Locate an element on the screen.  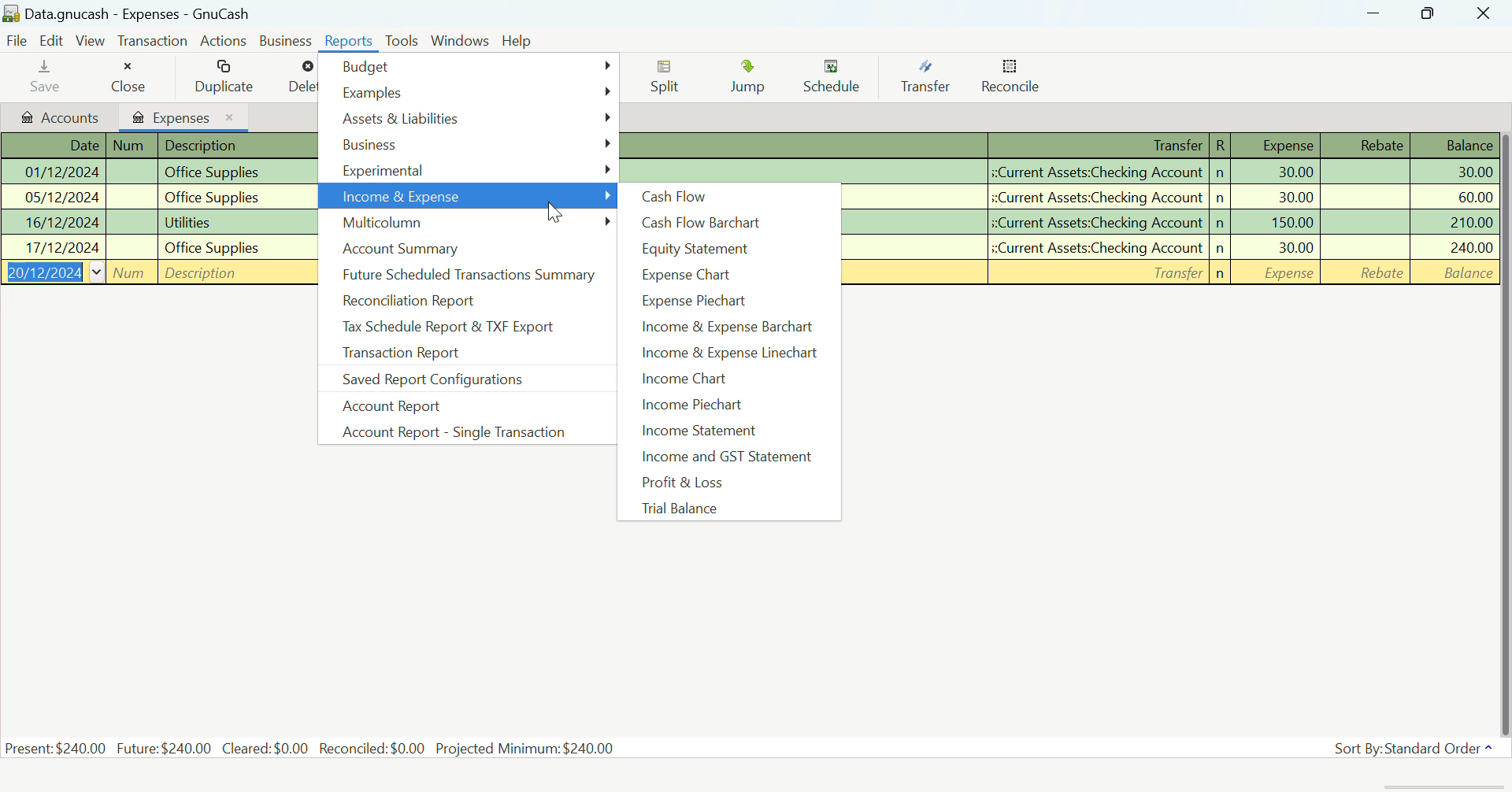
Office Supplies Transaction is located at coordinates (152, 222).